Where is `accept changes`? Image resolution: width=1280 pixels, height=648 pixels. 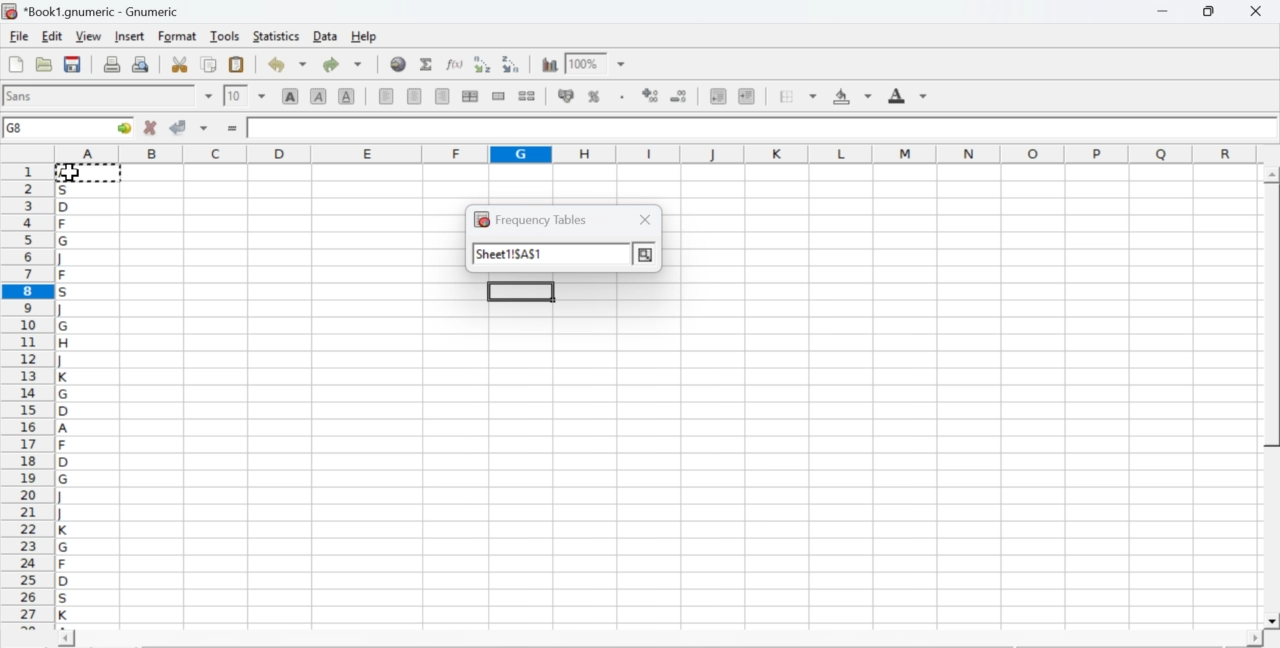 accept changes is located at coordinates (179, 126).